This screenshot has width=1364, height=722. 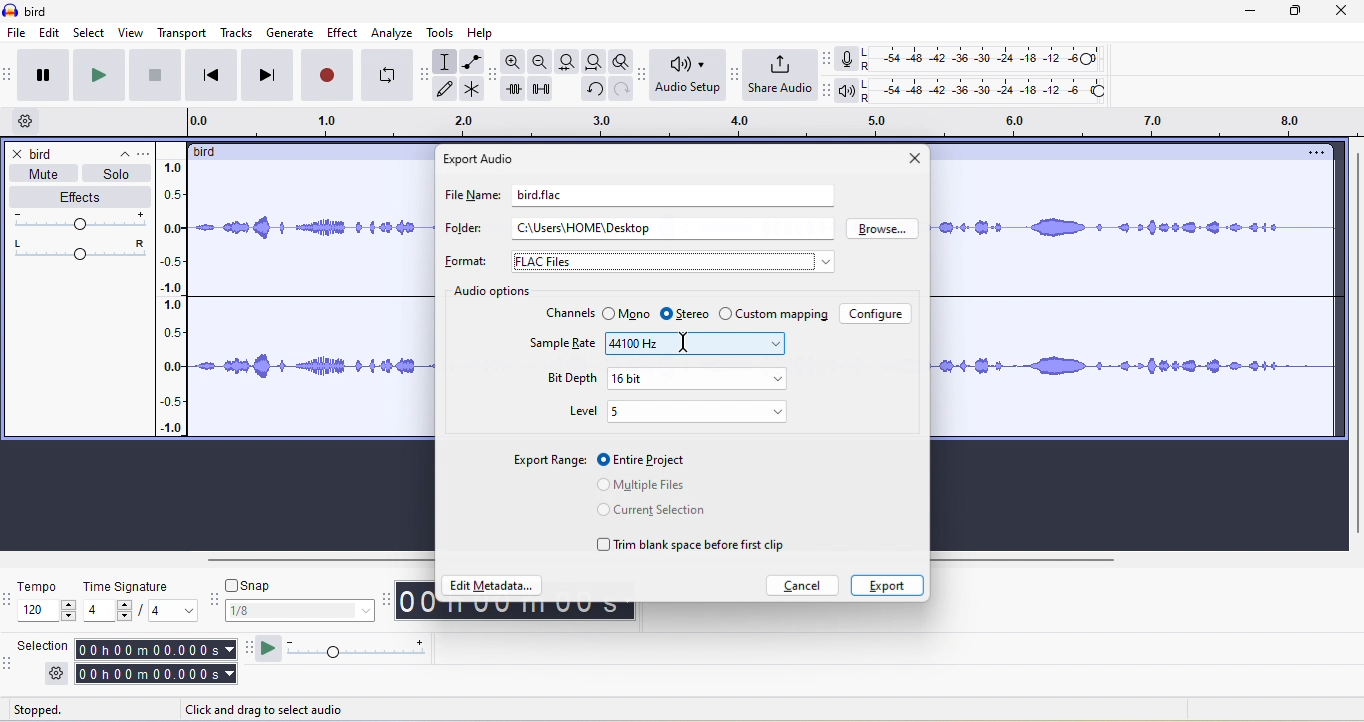 I want to click on trim blank space before first clip, so click(x=694, y=545).